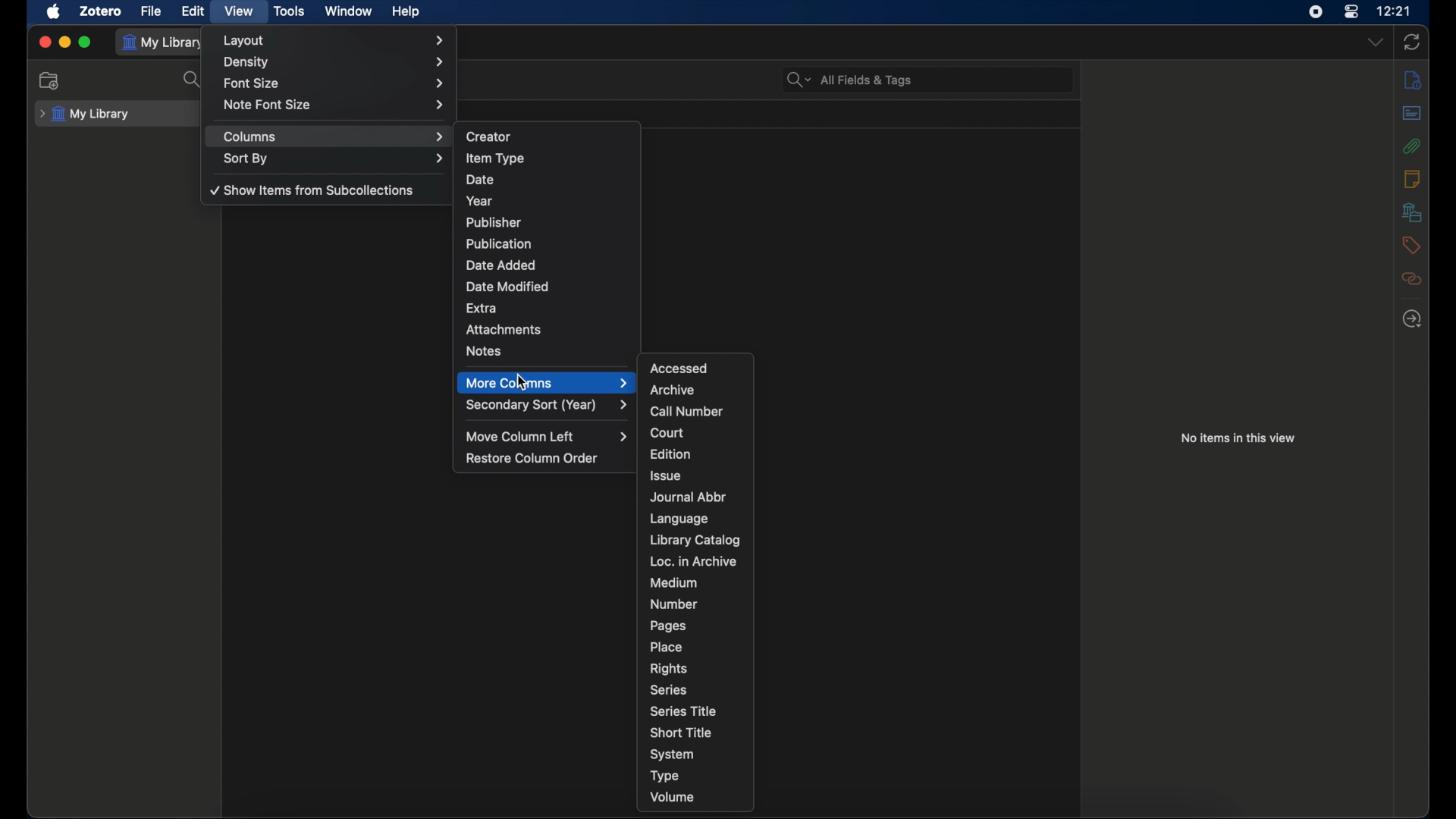 This screenshot has width=1456, height=819. What do you see at coordinates (100, 11) in the screenshot?
I see `zotero` at bounding box center [100, 11].